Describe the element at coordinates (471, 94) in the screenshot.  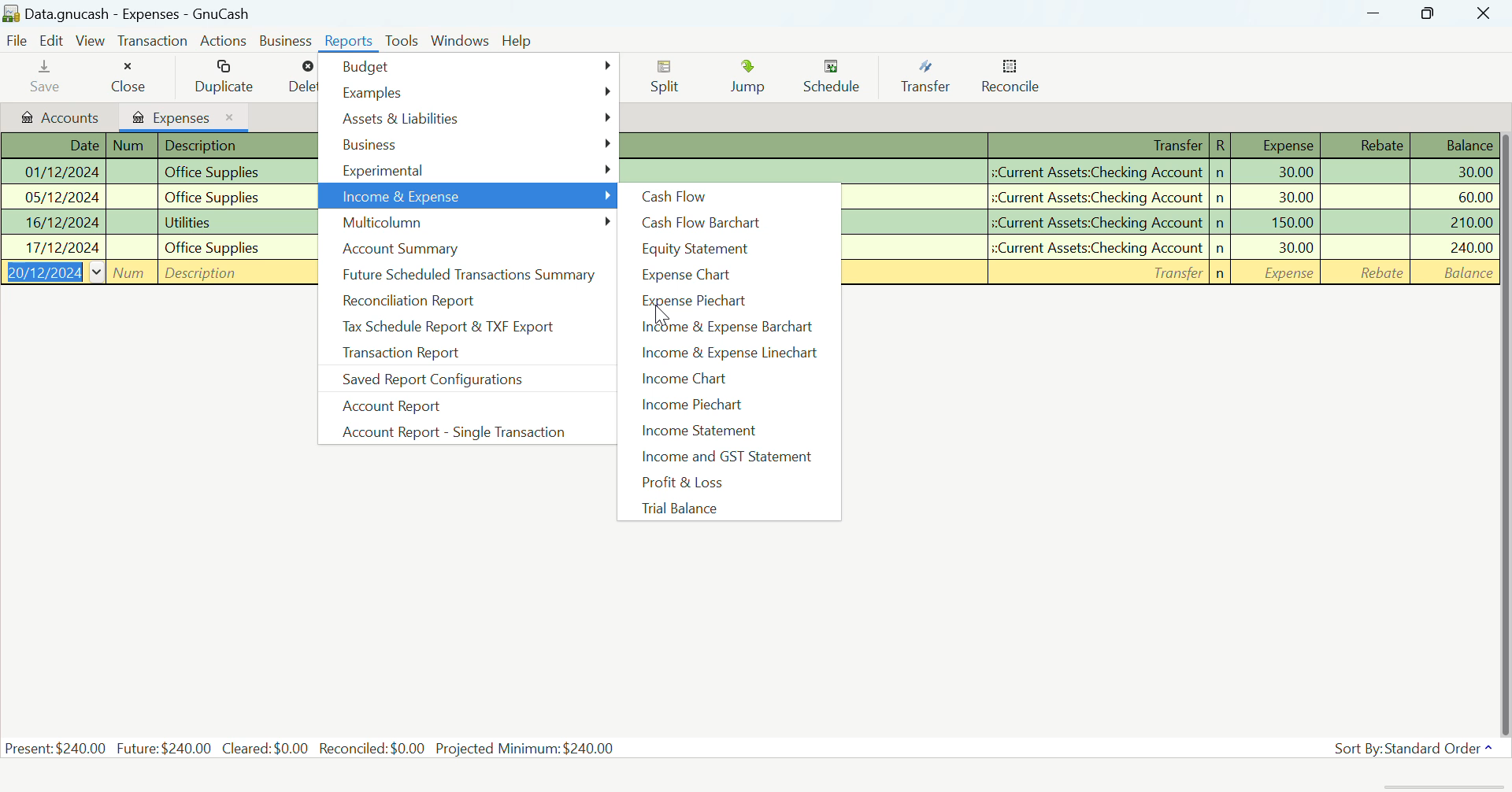
I see `Examples` at that location.